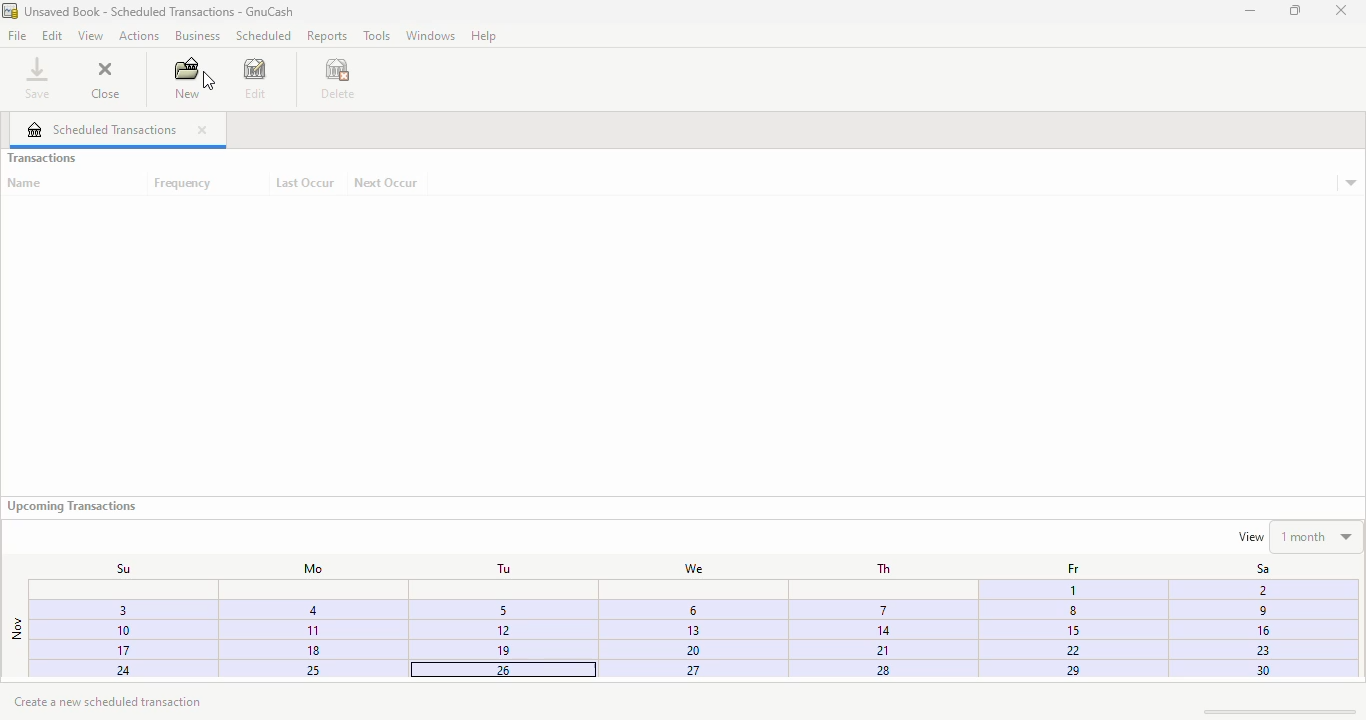 This screenshot has width=1366, height=720. What do you see at coordinates (879, 609) in the screenshot?
I see `7` at bounding box center [879, 609].